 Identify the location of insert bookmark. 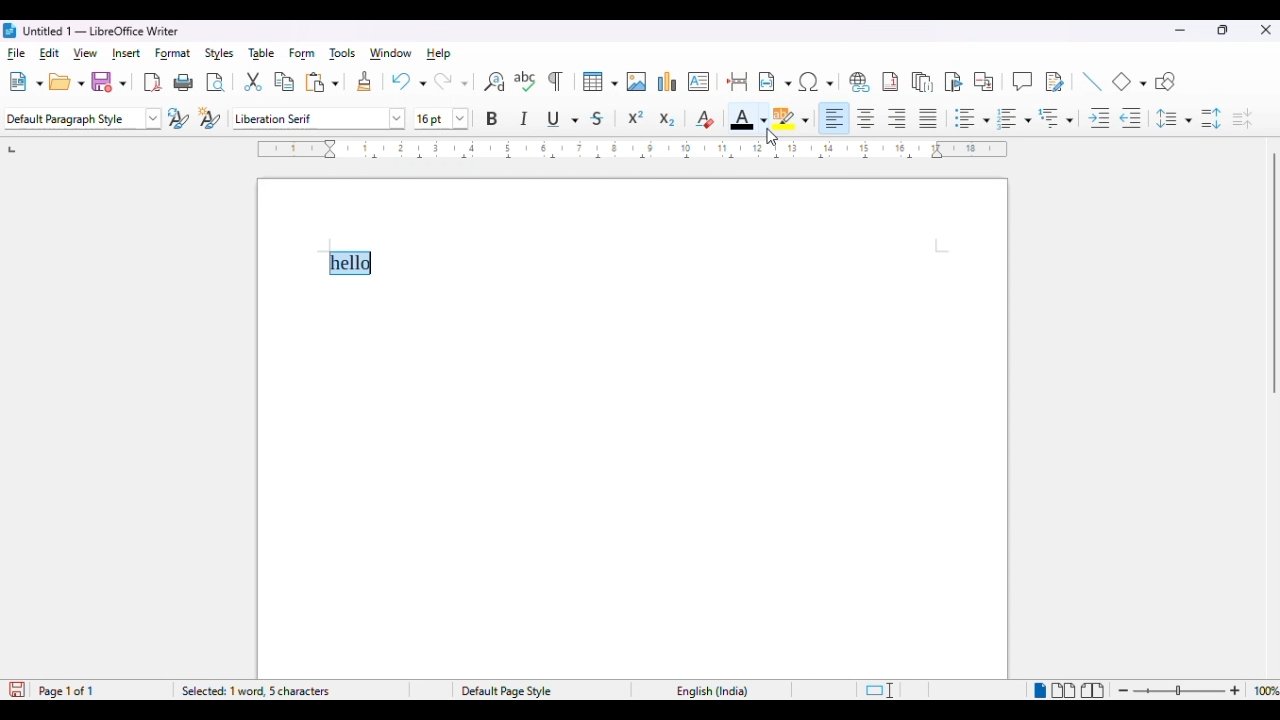
(954, 82).